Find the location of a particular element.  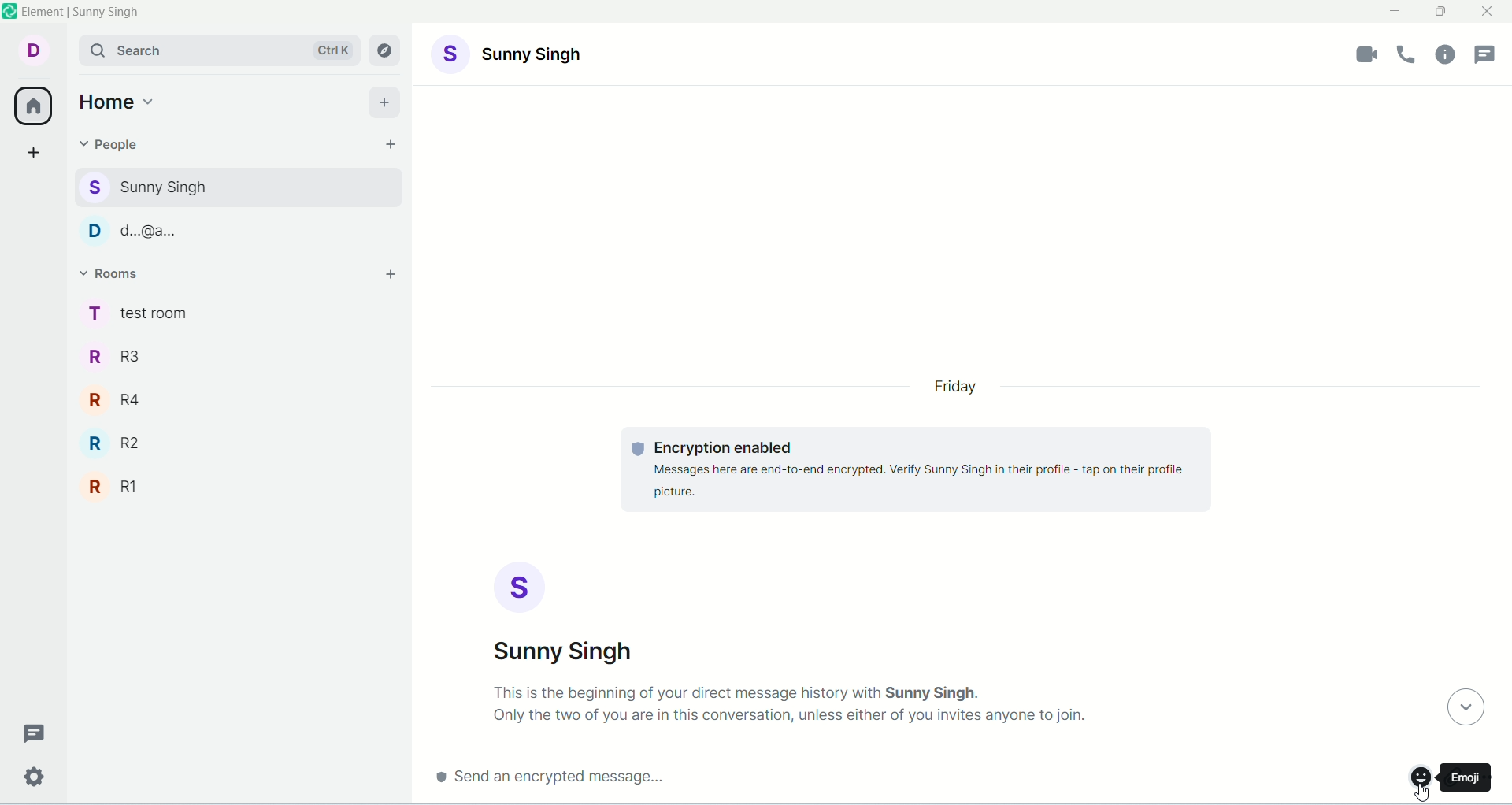

day is located at coordinates (958, 388).